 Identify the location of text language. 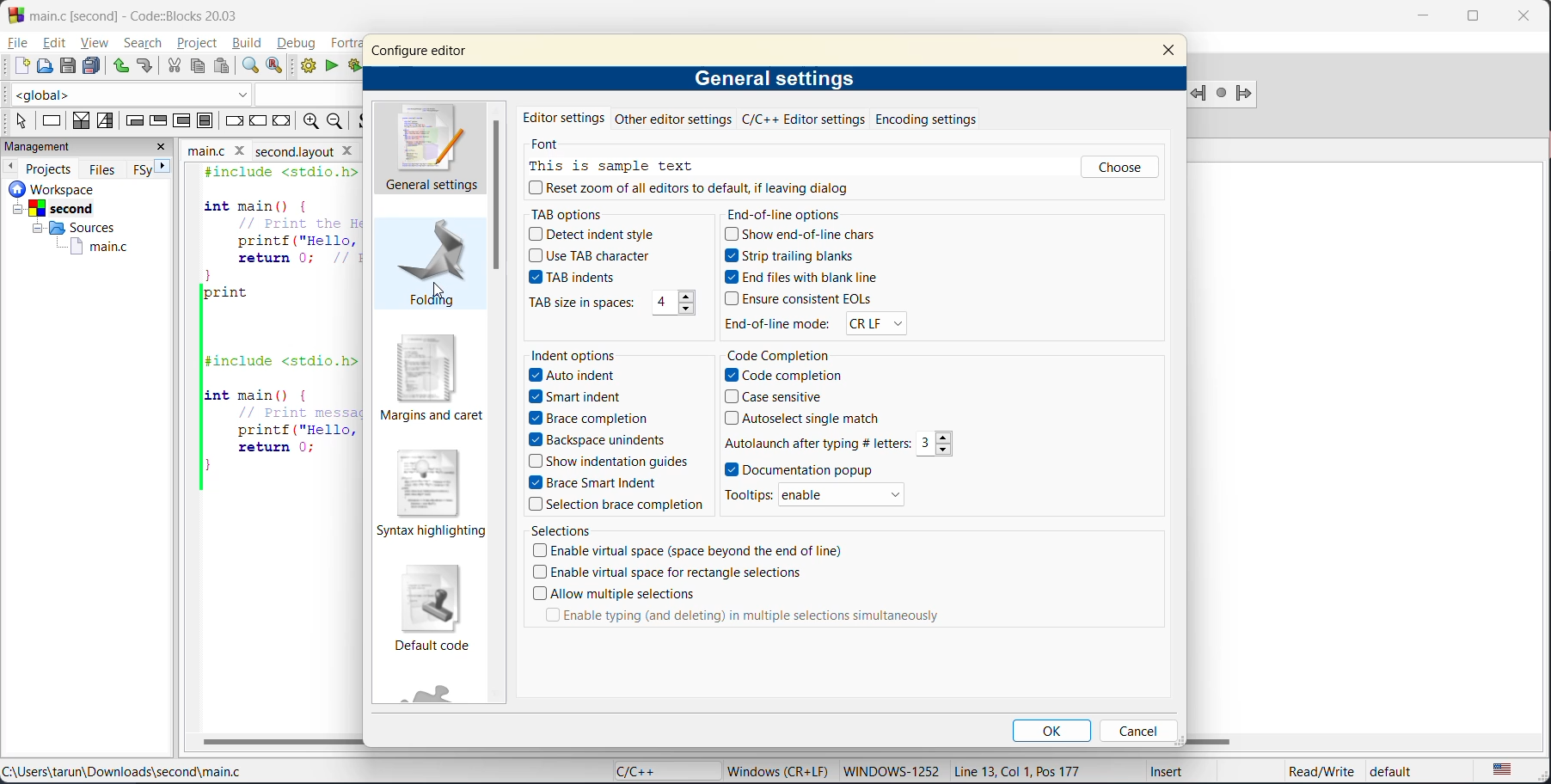
(1505, 769).